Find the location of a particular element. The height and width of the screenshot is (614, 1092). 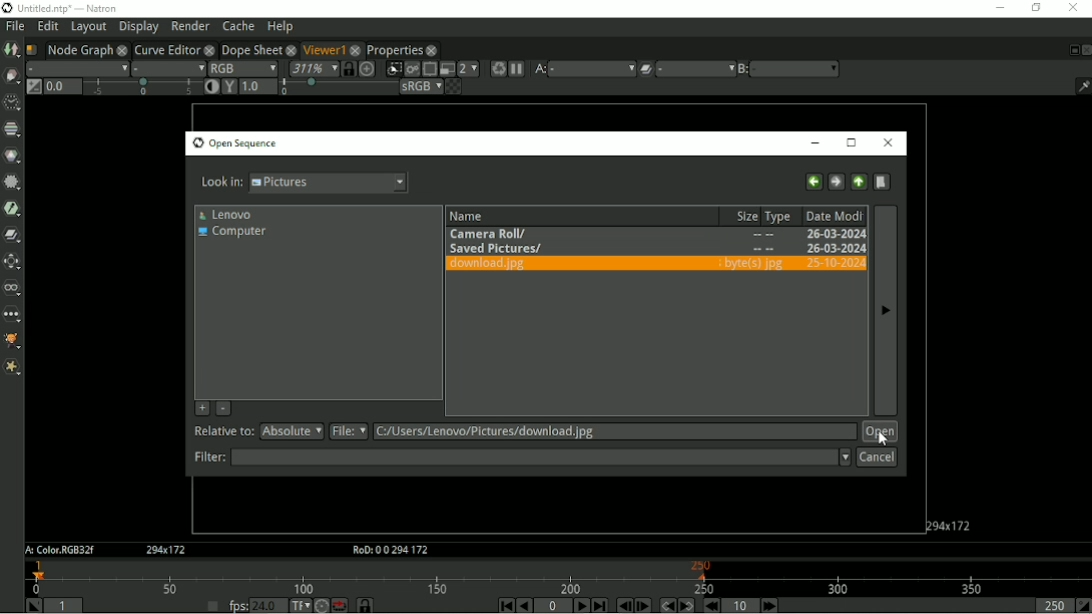

B is located at coordinates (742, 69).